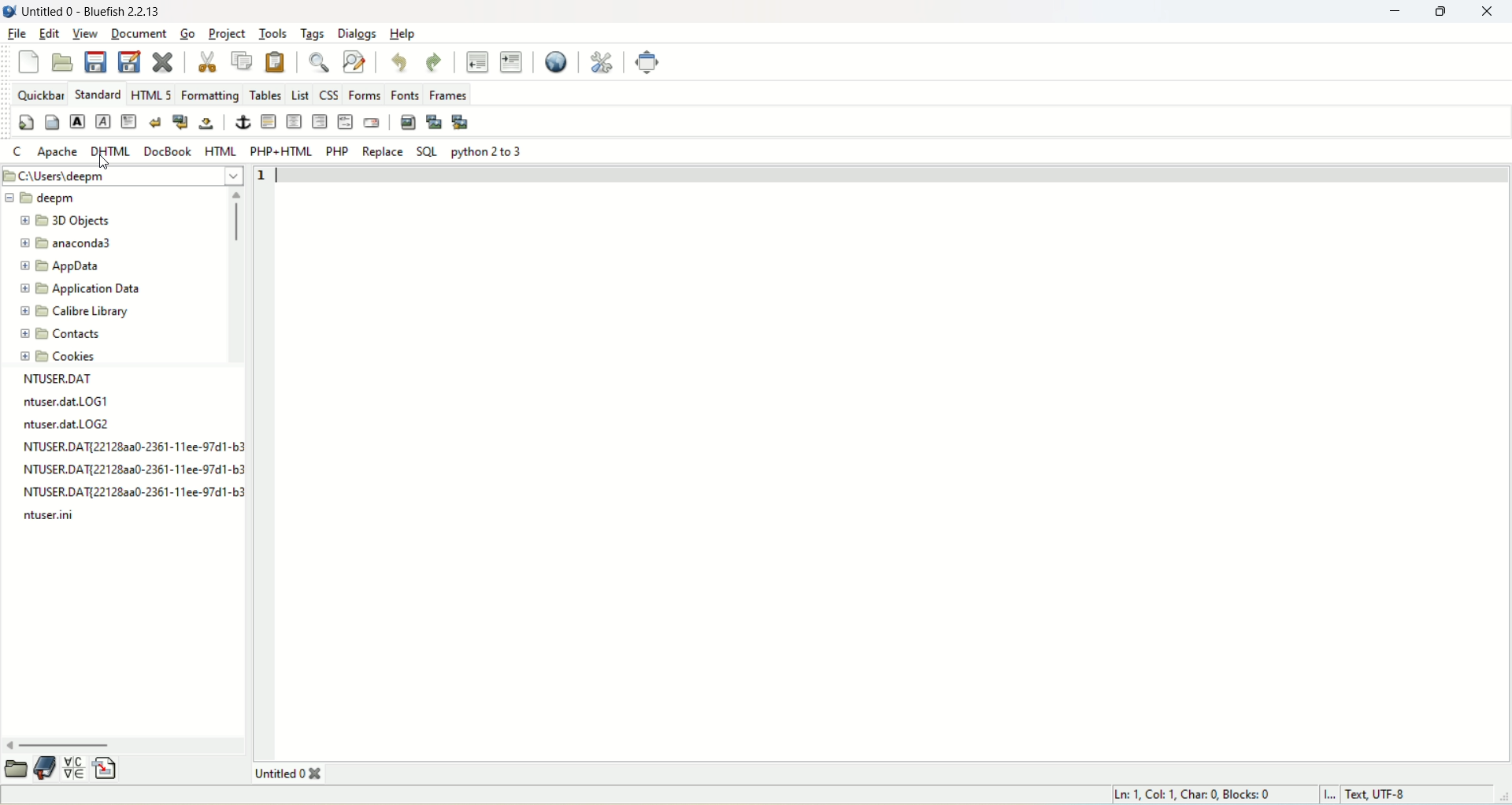 The width and height of the screenshot is (1512, 805). I want to click on unindent, so click(476, 63).